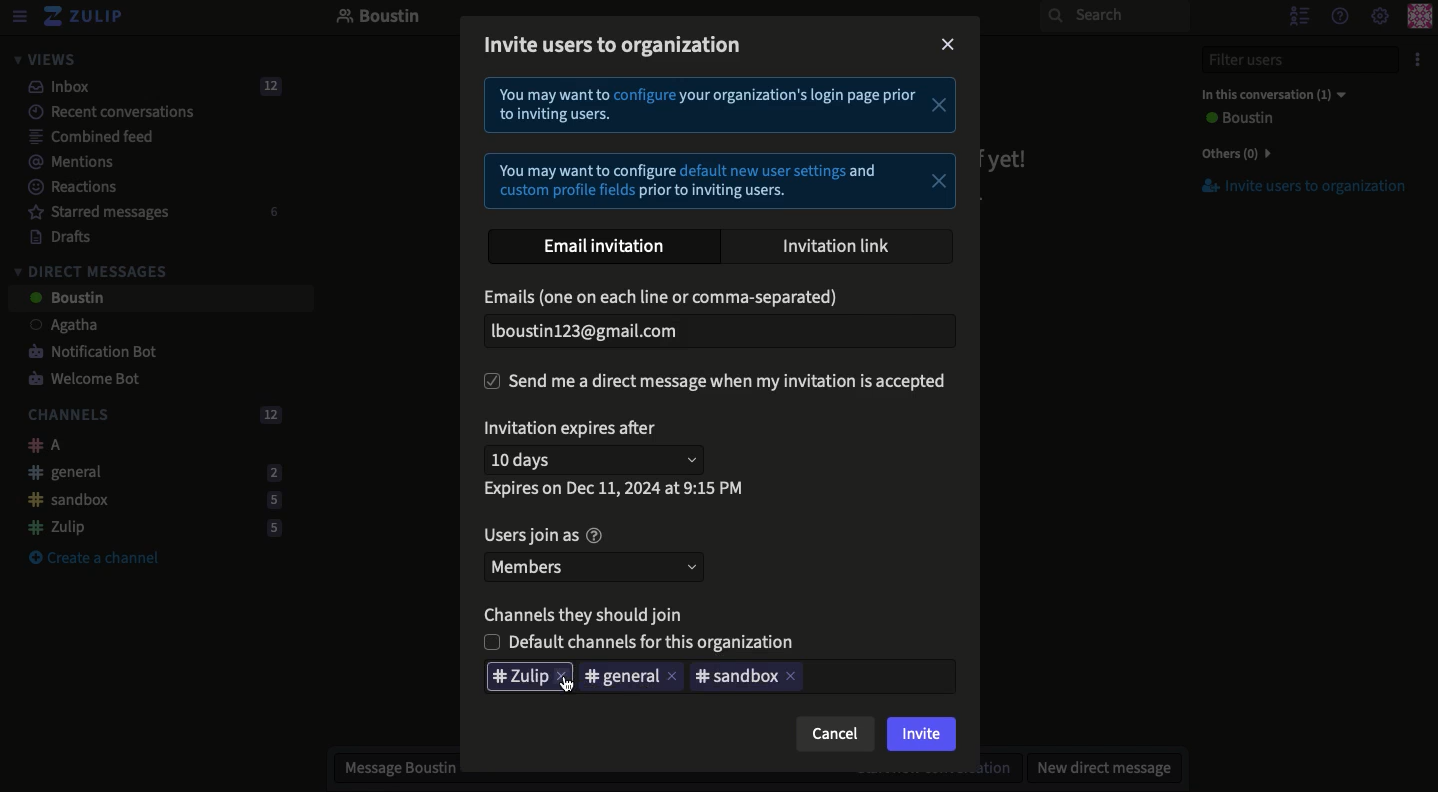  I want to click on Zulip, so click(85, 17).